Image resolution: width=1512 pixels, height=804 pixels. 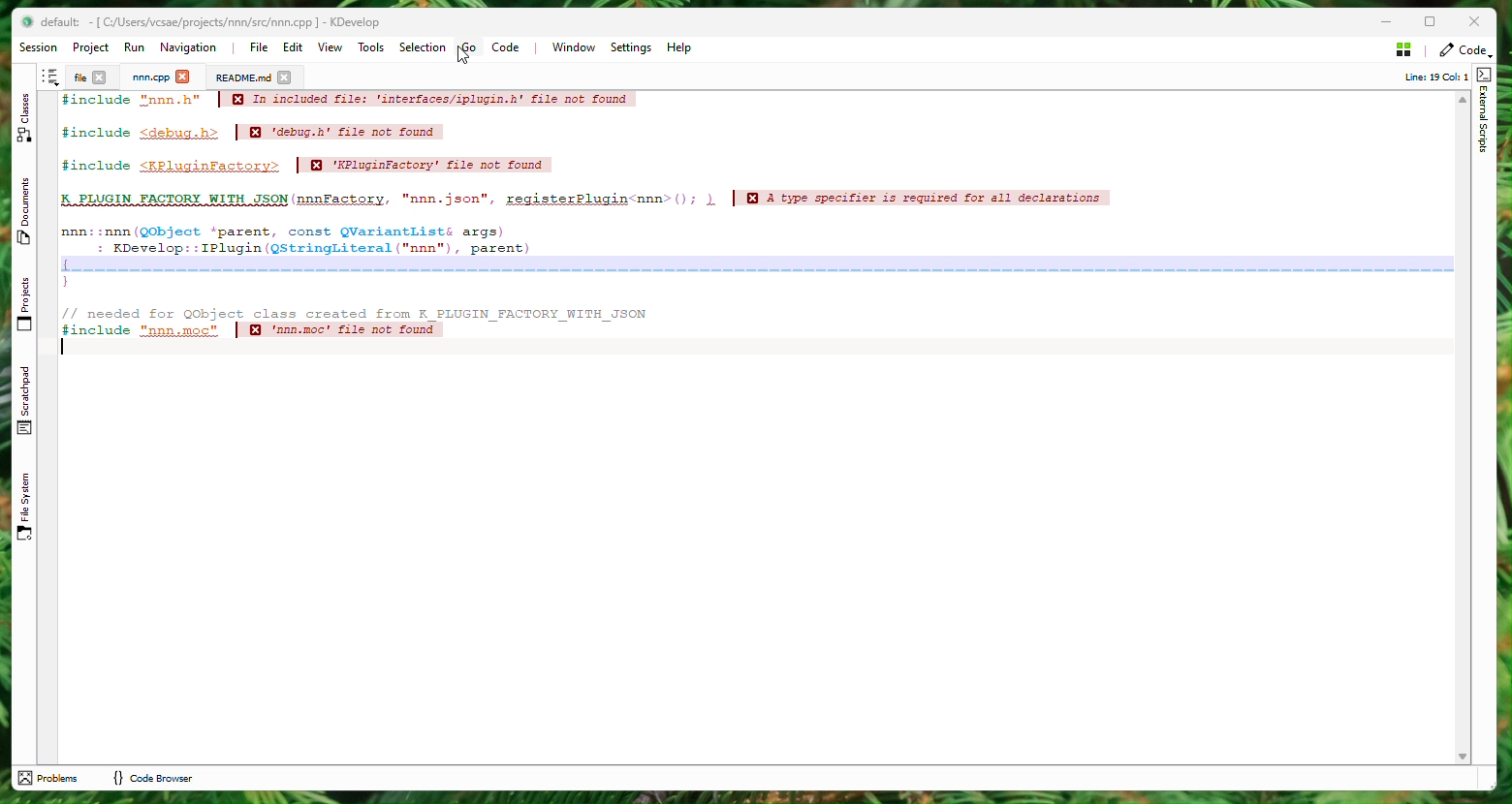 What do you see at coordinates (418, 47) in the screenshot?
I see `Selection` at bounding box center [418, 47].